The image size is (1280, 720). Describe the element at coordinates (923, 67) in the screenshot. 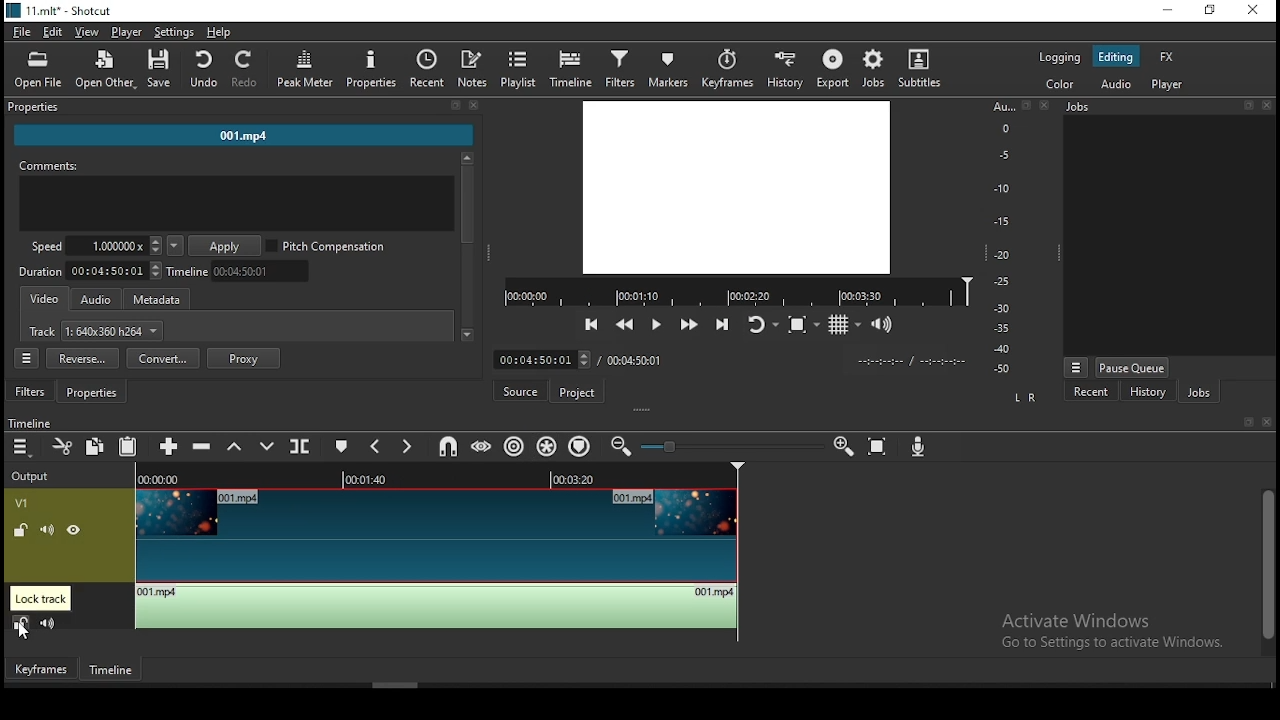

I see `subtitles` at that location.